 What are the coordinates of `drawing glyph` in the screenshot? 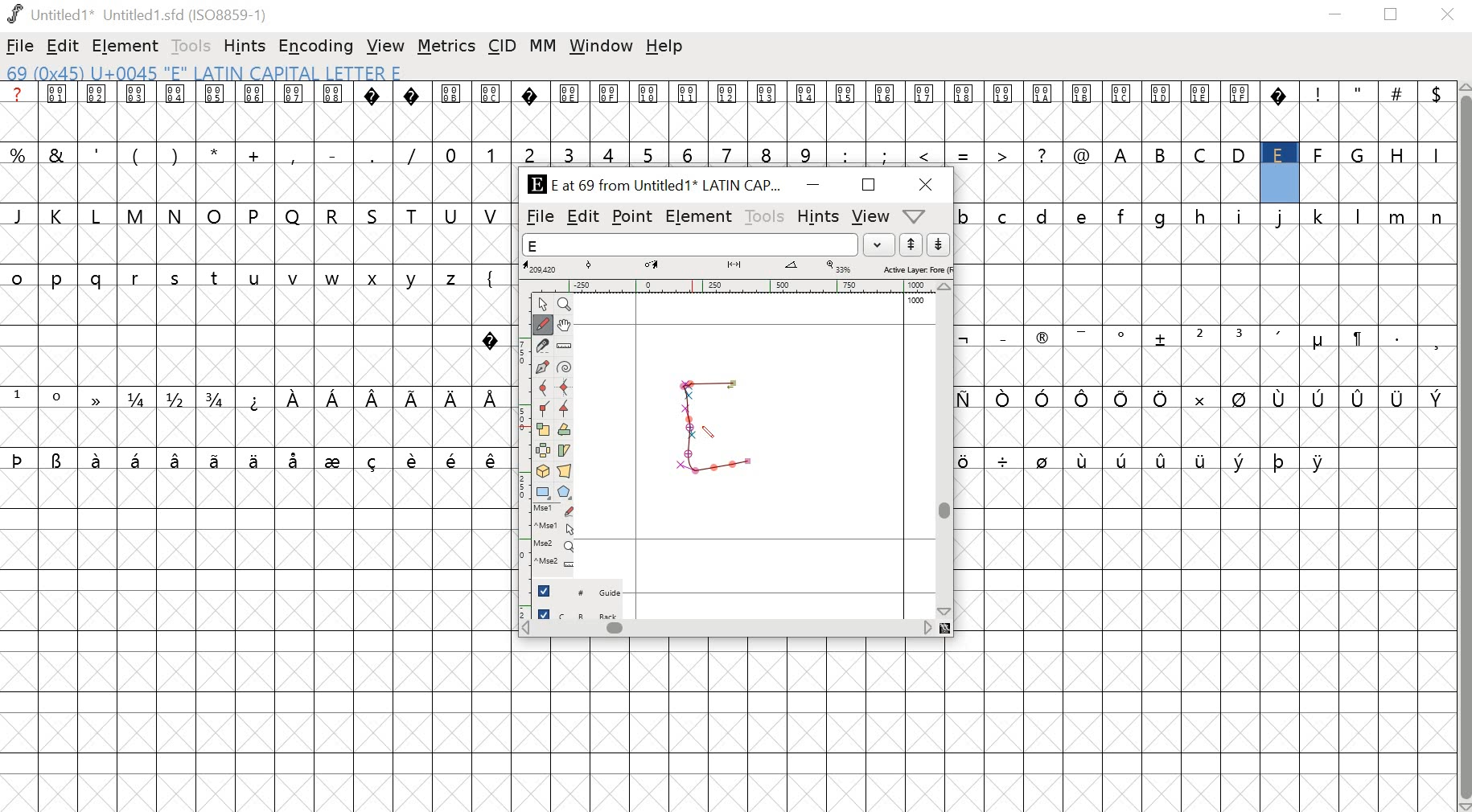 It's located at (720, 426).